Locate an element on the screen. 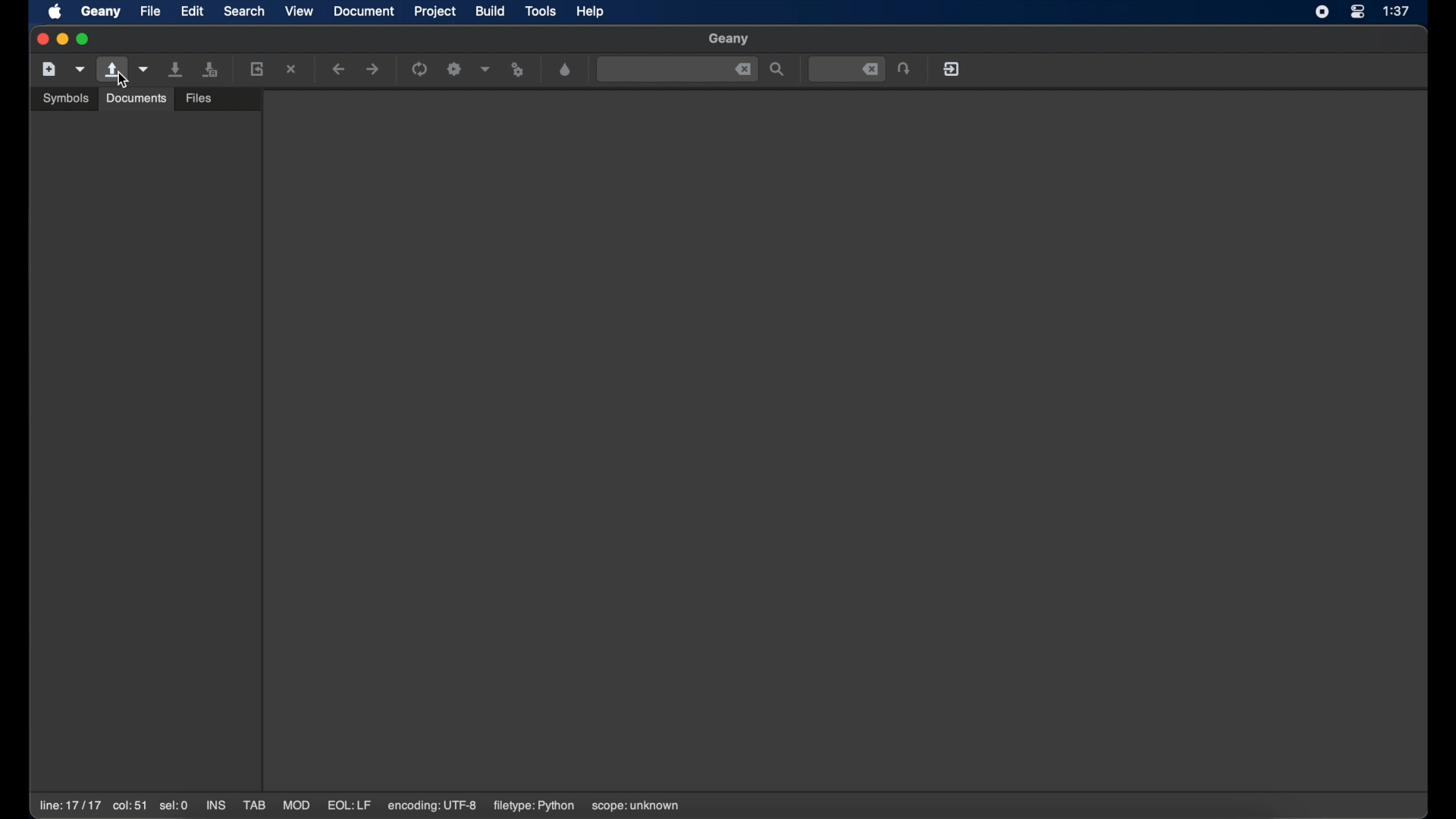 This screenshot has width=1456, height=819. view is located at coordinates (300, 10).